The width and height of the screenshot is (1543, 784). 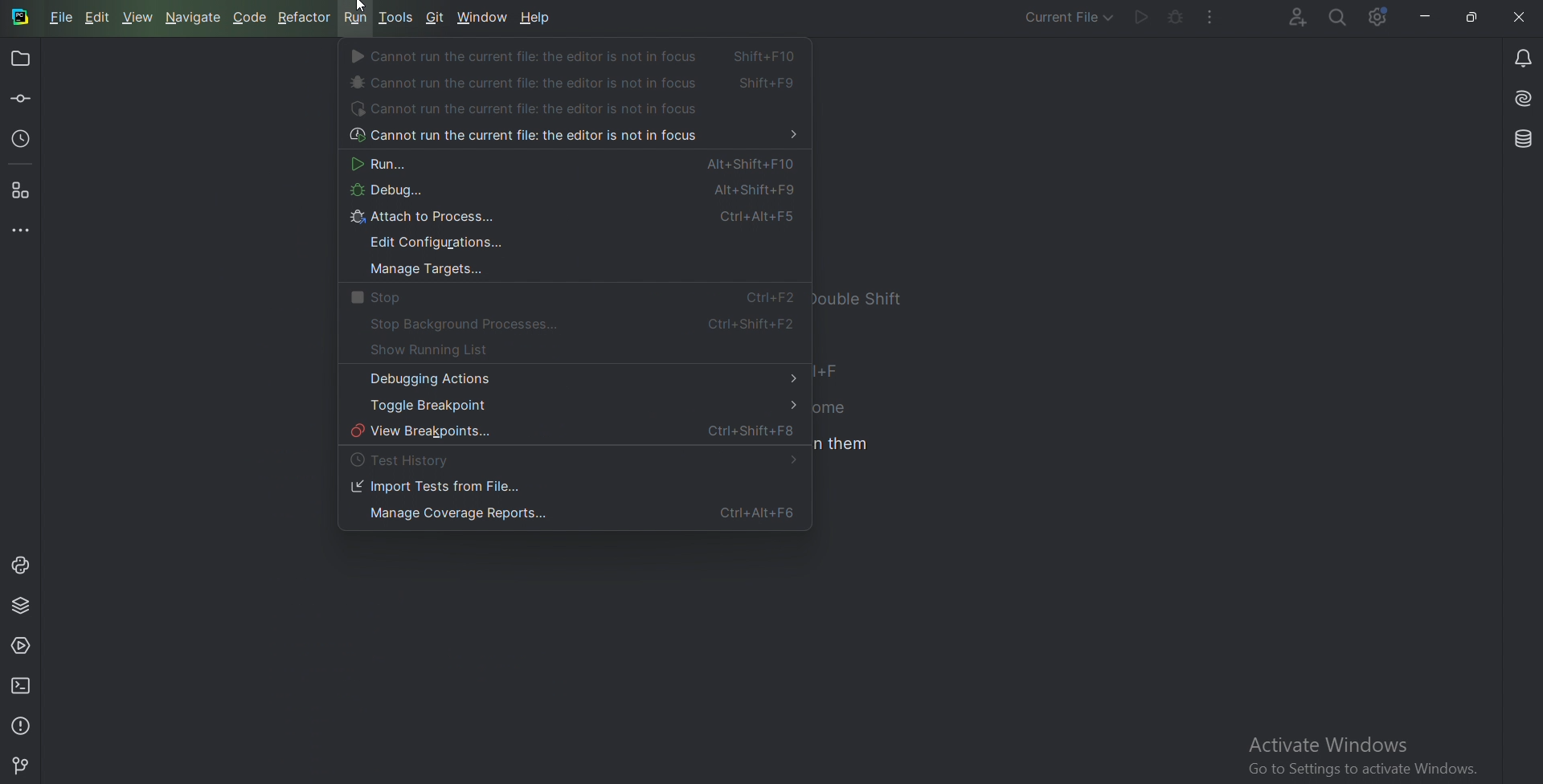 What do you see at coordinates (575, 219) in the screenshot?
I see `Attach the process` at bounding box center [575, 219].